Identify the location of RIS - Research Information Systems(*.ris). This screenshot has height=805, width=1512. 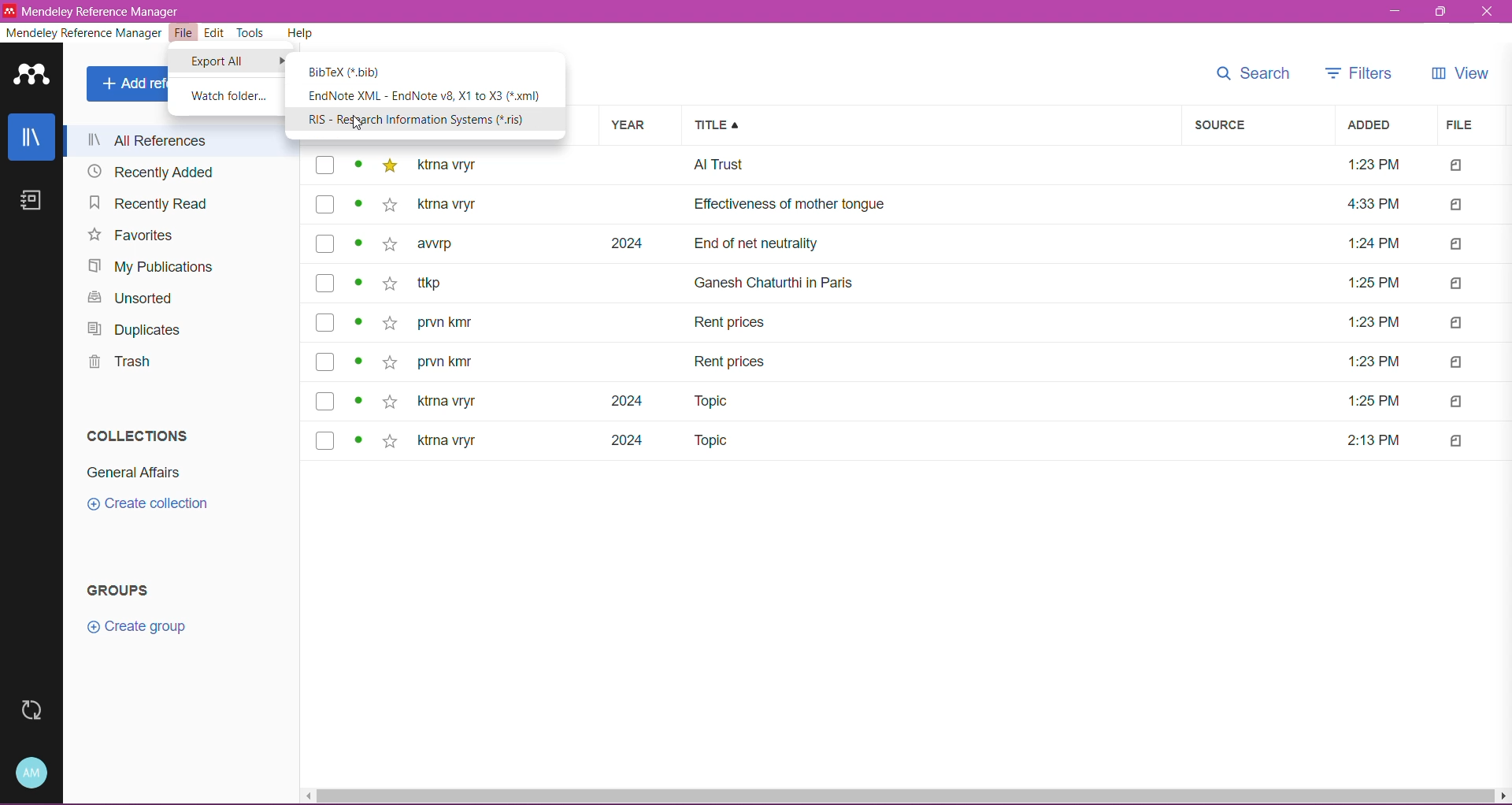
(417, 122).